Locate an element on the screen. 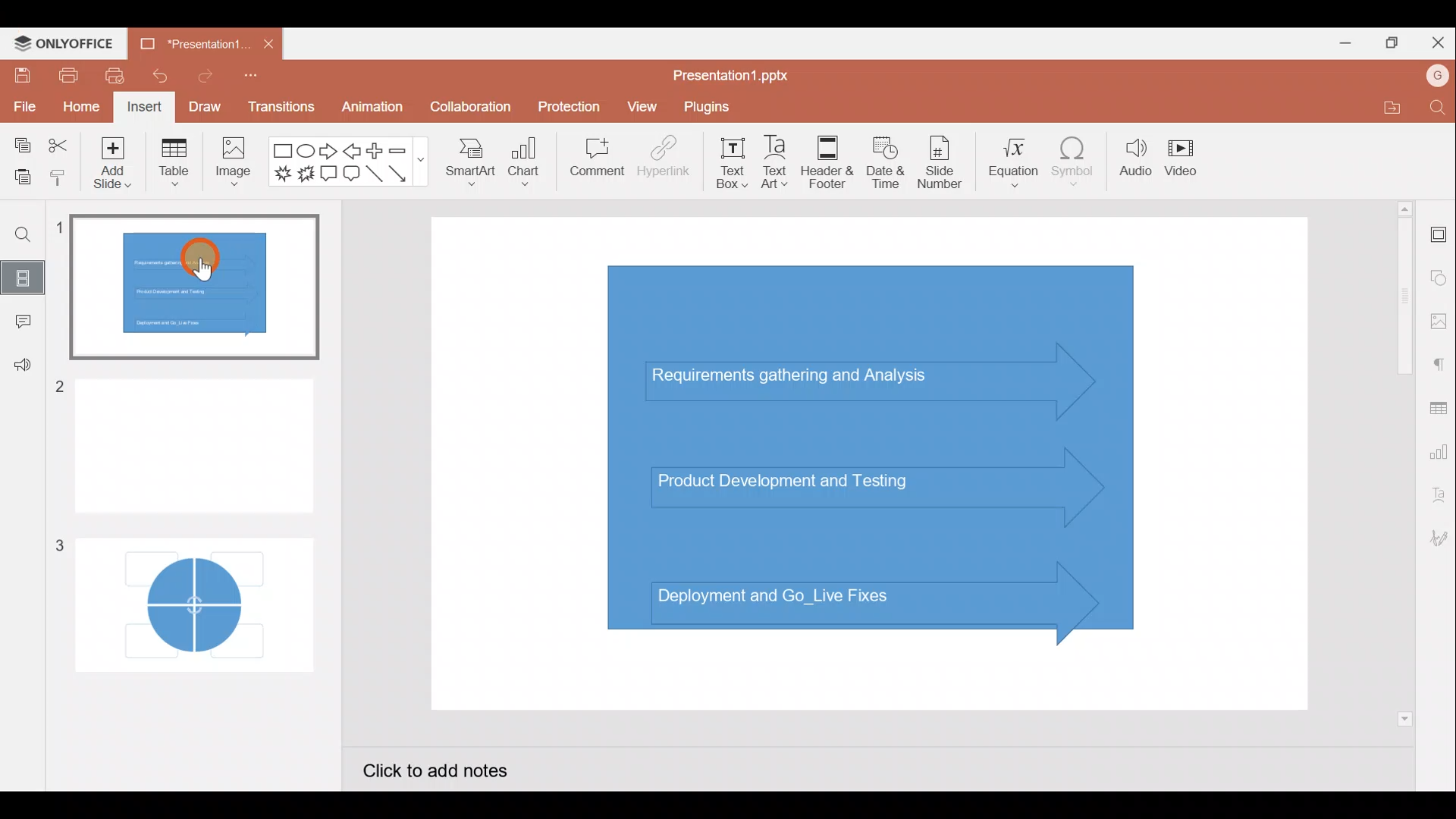  Arrow is located at coordinates (401, 174).